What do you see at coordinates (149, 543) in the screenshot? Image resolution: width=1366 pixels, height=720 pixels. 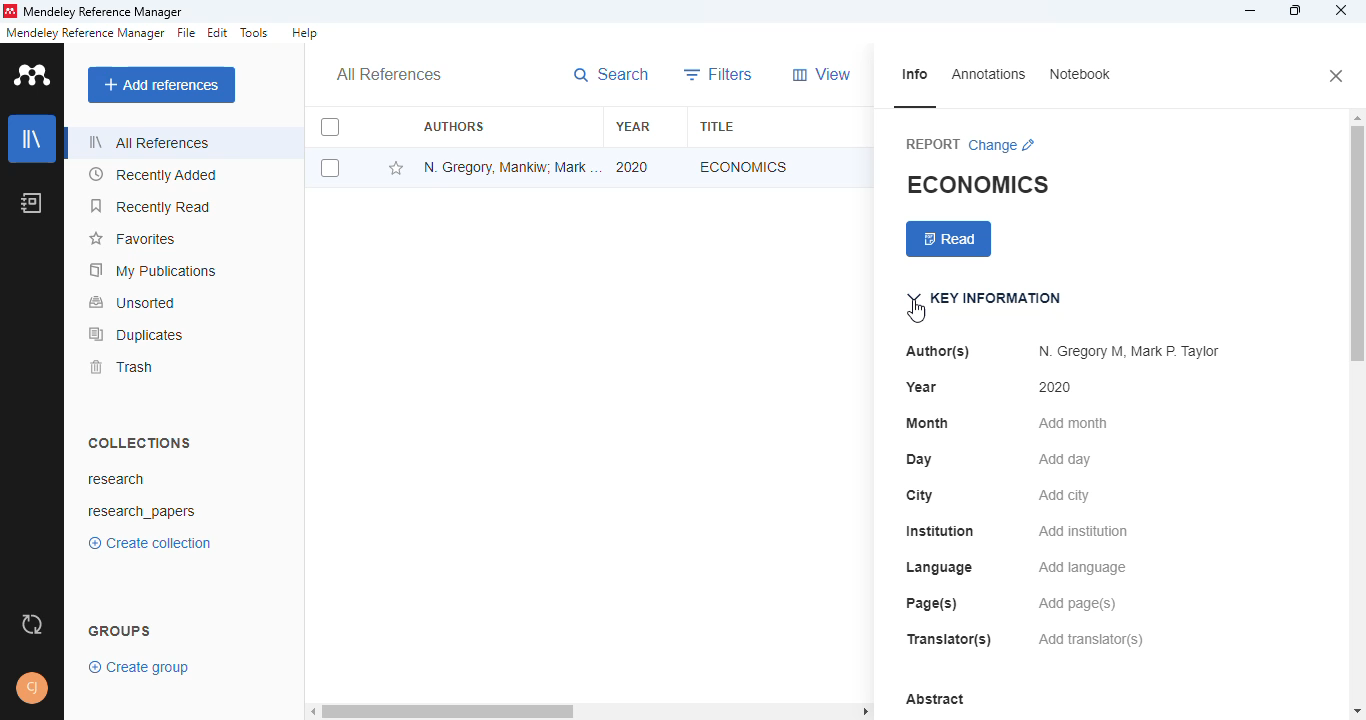 I see `create collection` at bounding box center [149, 543].